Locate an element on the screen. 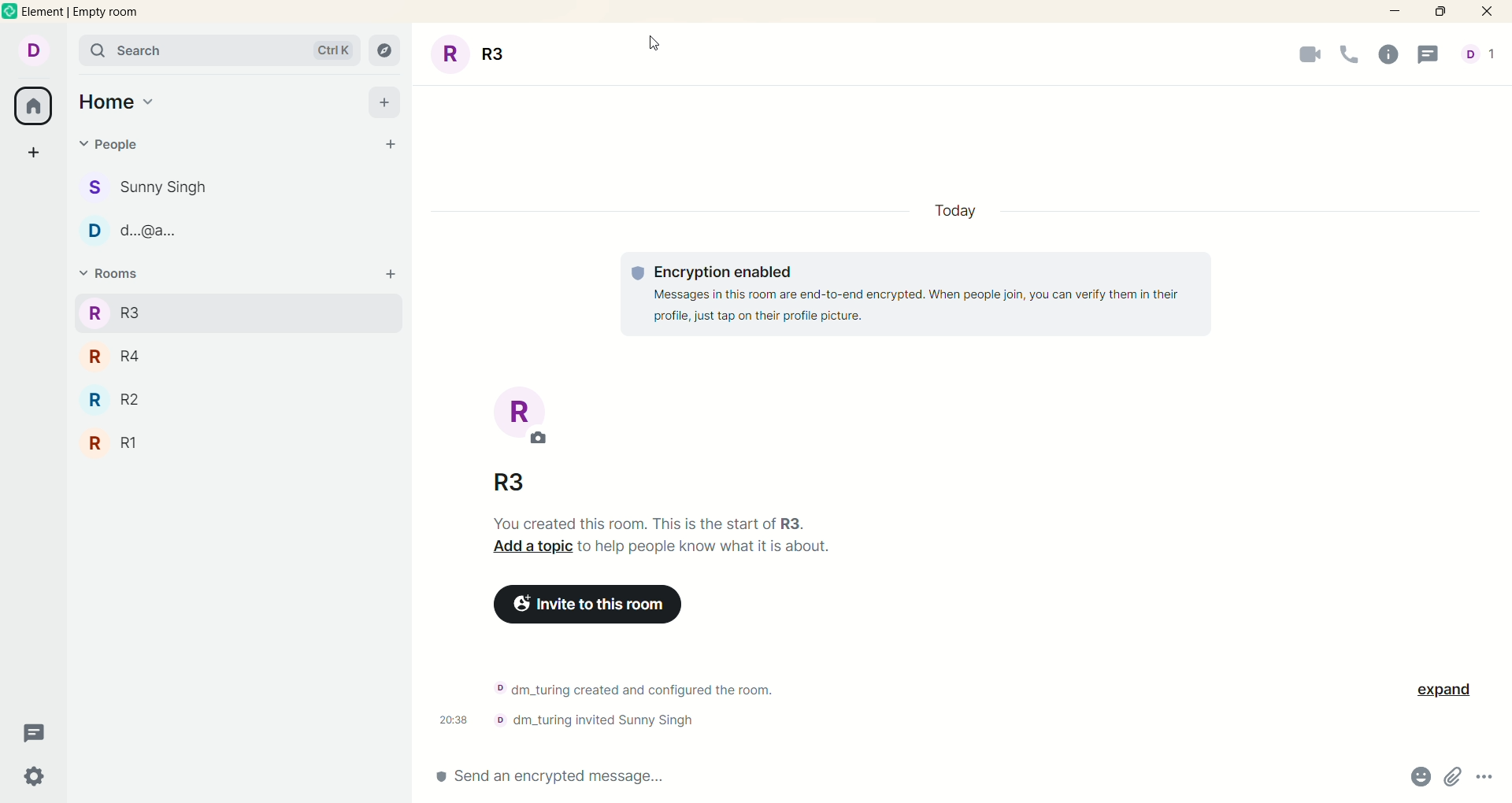 Image resolution: width=1512 pixels, height=803 pixels. rooms is located at coordinates (115, 277).